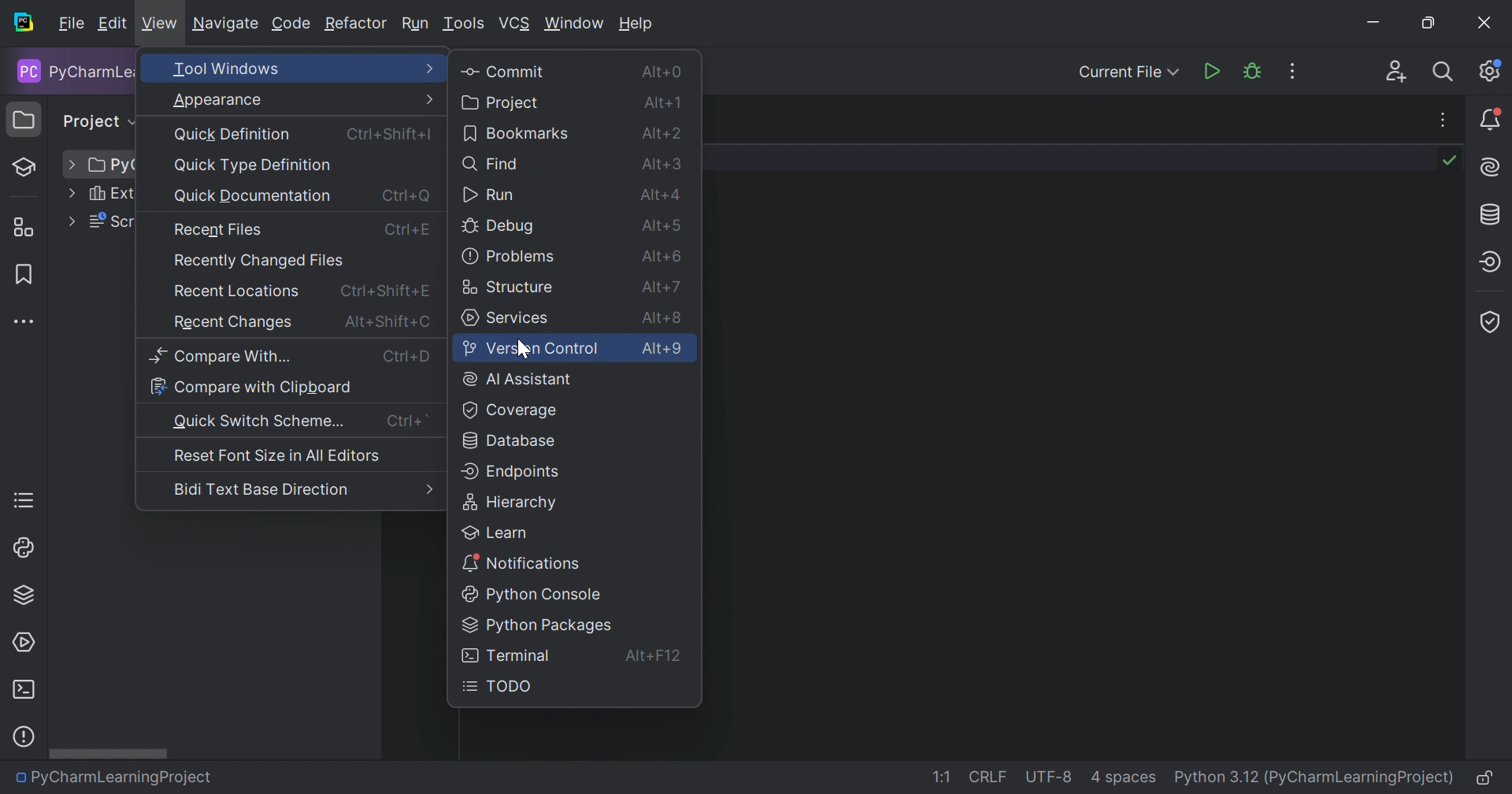 Image resolution: width=1512 pixels, height=794 pixels. I want to click on Quick Switch Scheme..., so click(259, 421).